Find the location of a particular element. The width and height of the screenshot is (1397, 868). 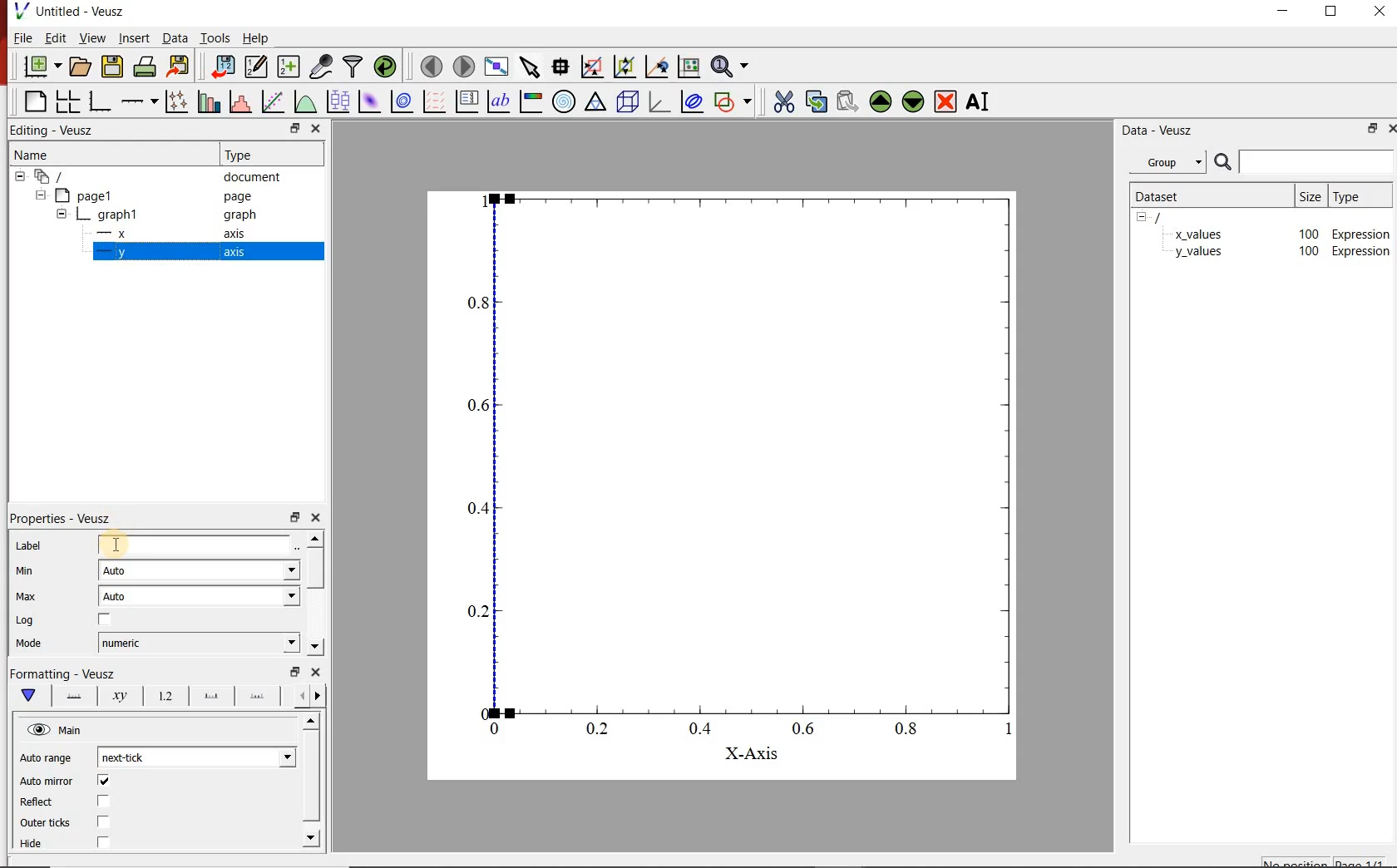

minor ticks is located at coordinates (259, 696).